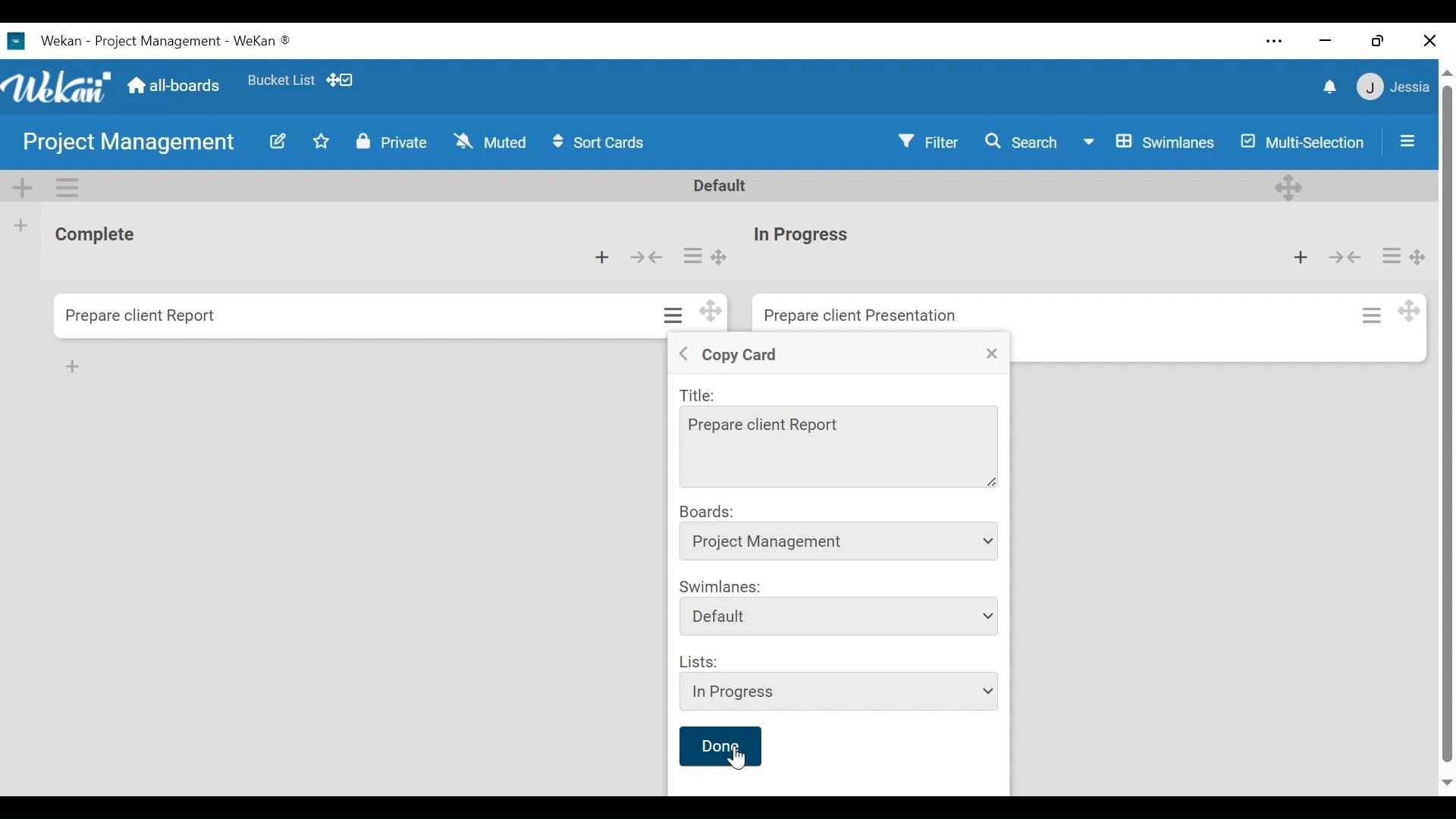  Describe the element at coordinates (1402, 86) in the screenshot. I see `Member` at that location.